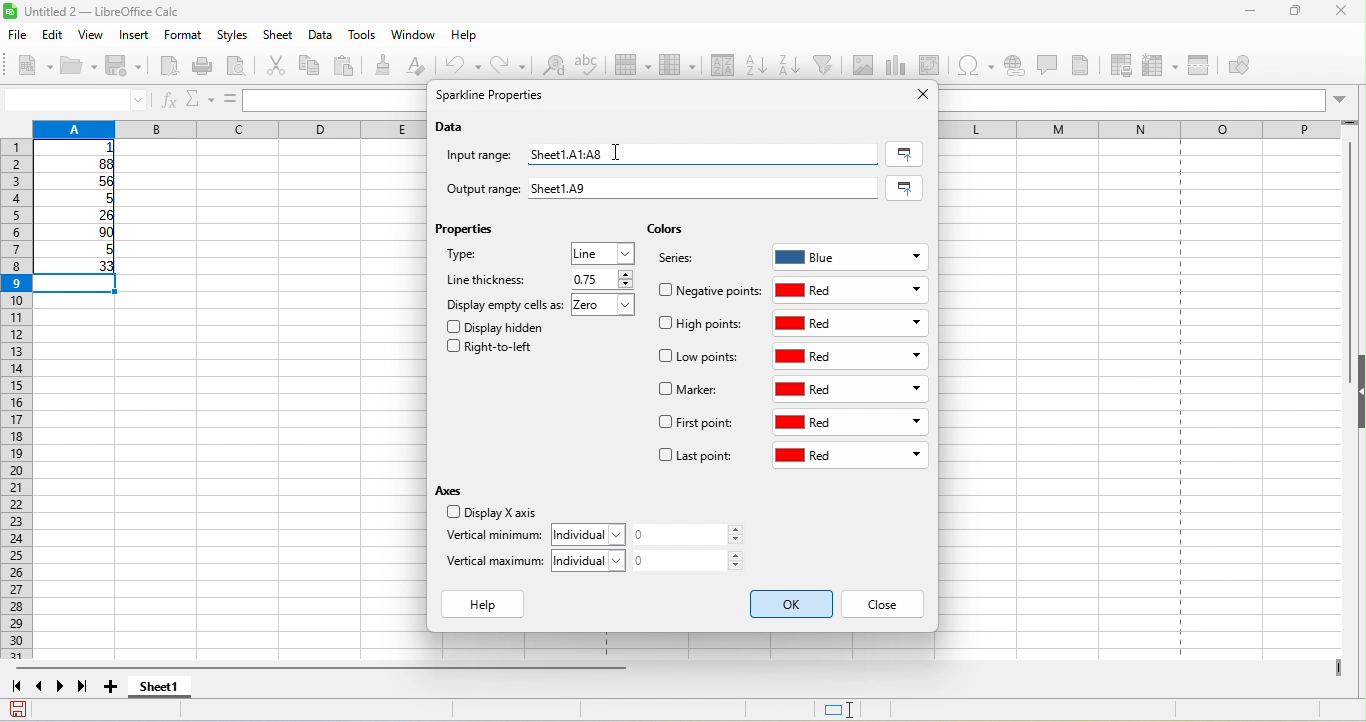 The height and width of the screenshot is (722, 1366). What do you see at coordinates (908, 188) in the screenshot?
I see `selected range` at bounding box center [908, 188].